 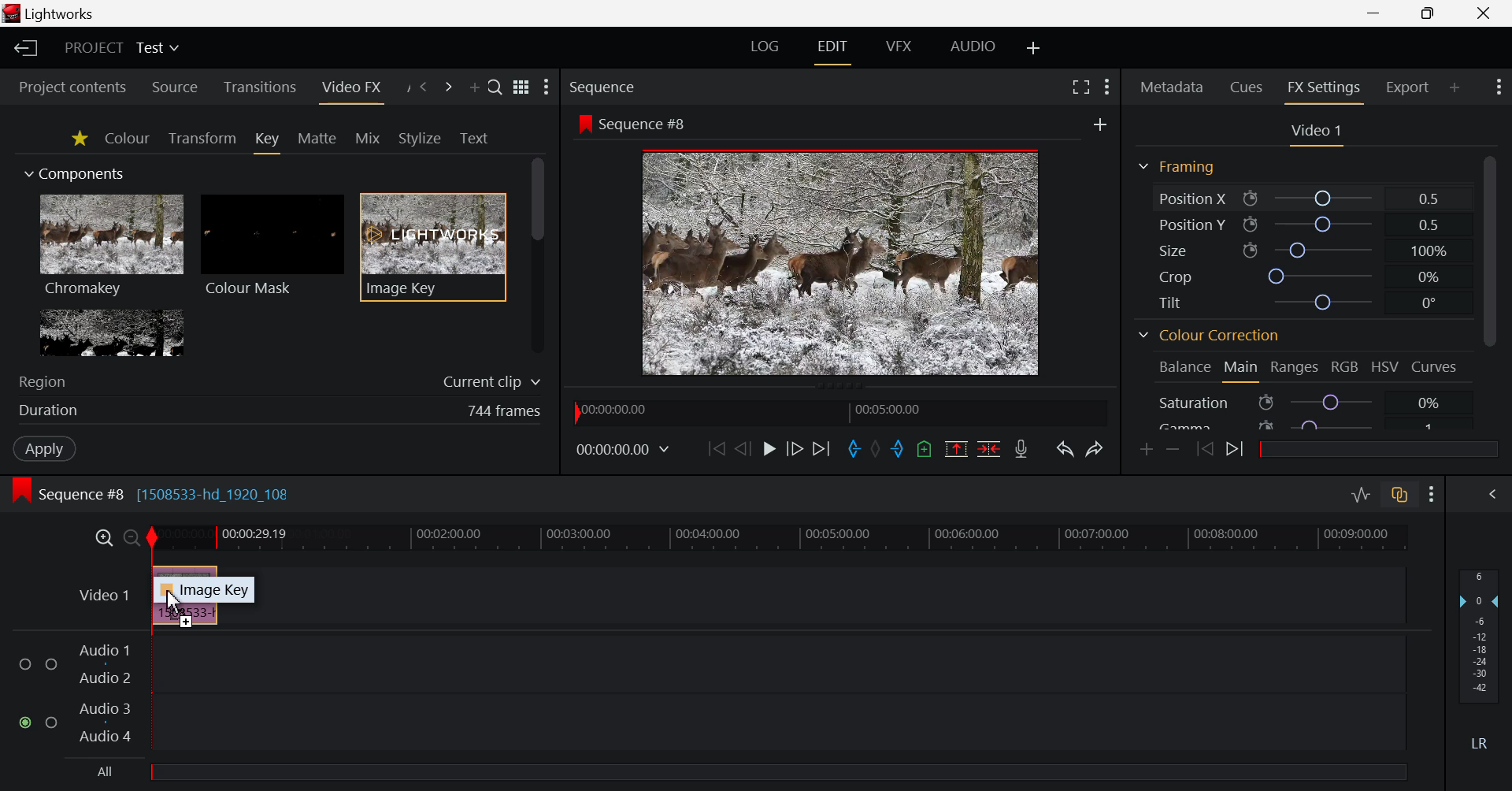 What do you see at coordinates (855, 451) in the screenshot?
I see `Mark In` at bounding box center [855, 451].